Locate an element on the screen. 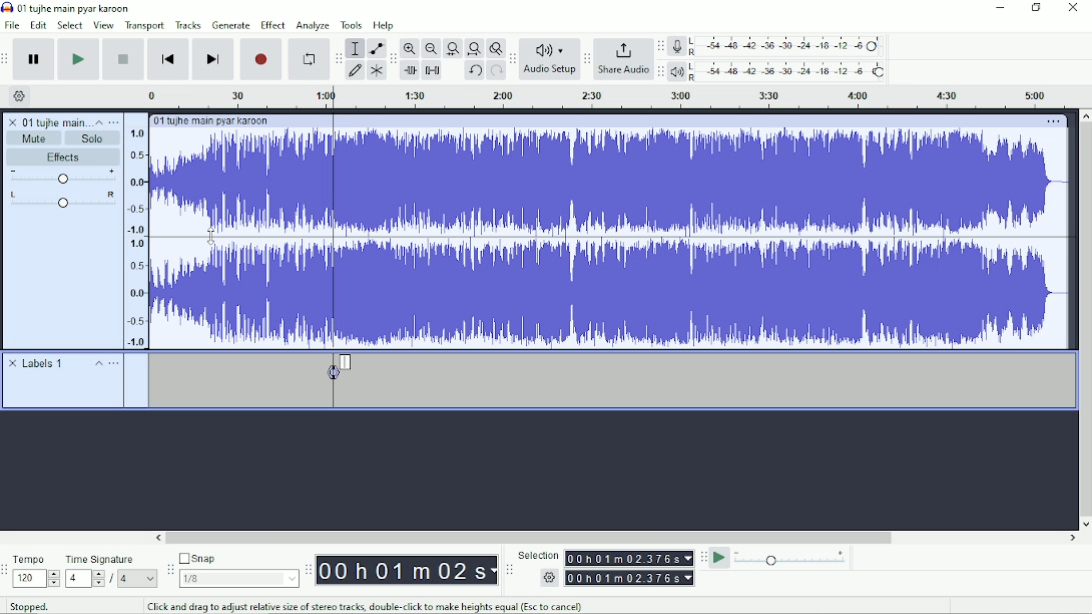 The height and width of the screenshot is (614, 1092). Record meter is located at coordinates (779, 47).